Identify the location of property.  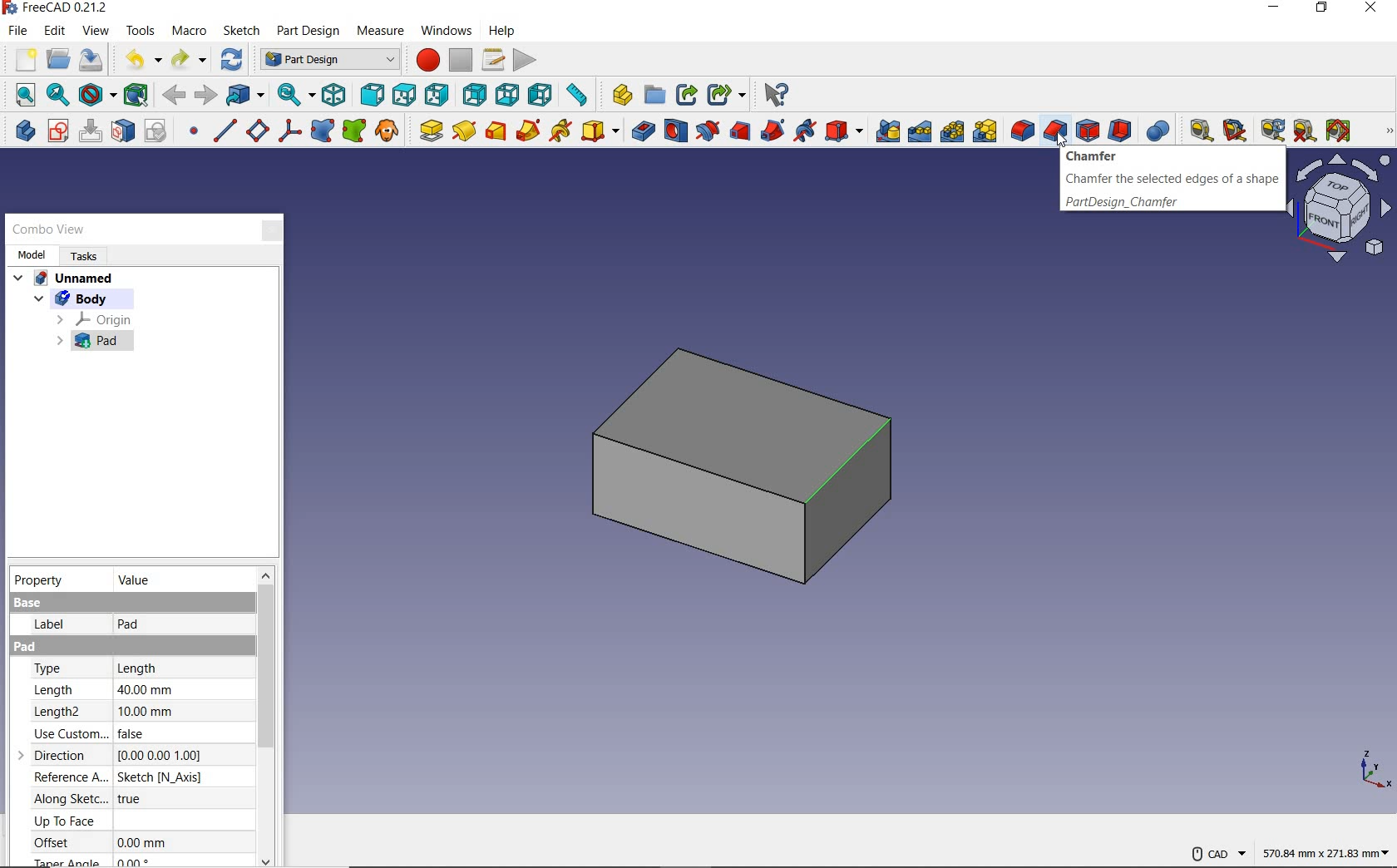
(42, 579).